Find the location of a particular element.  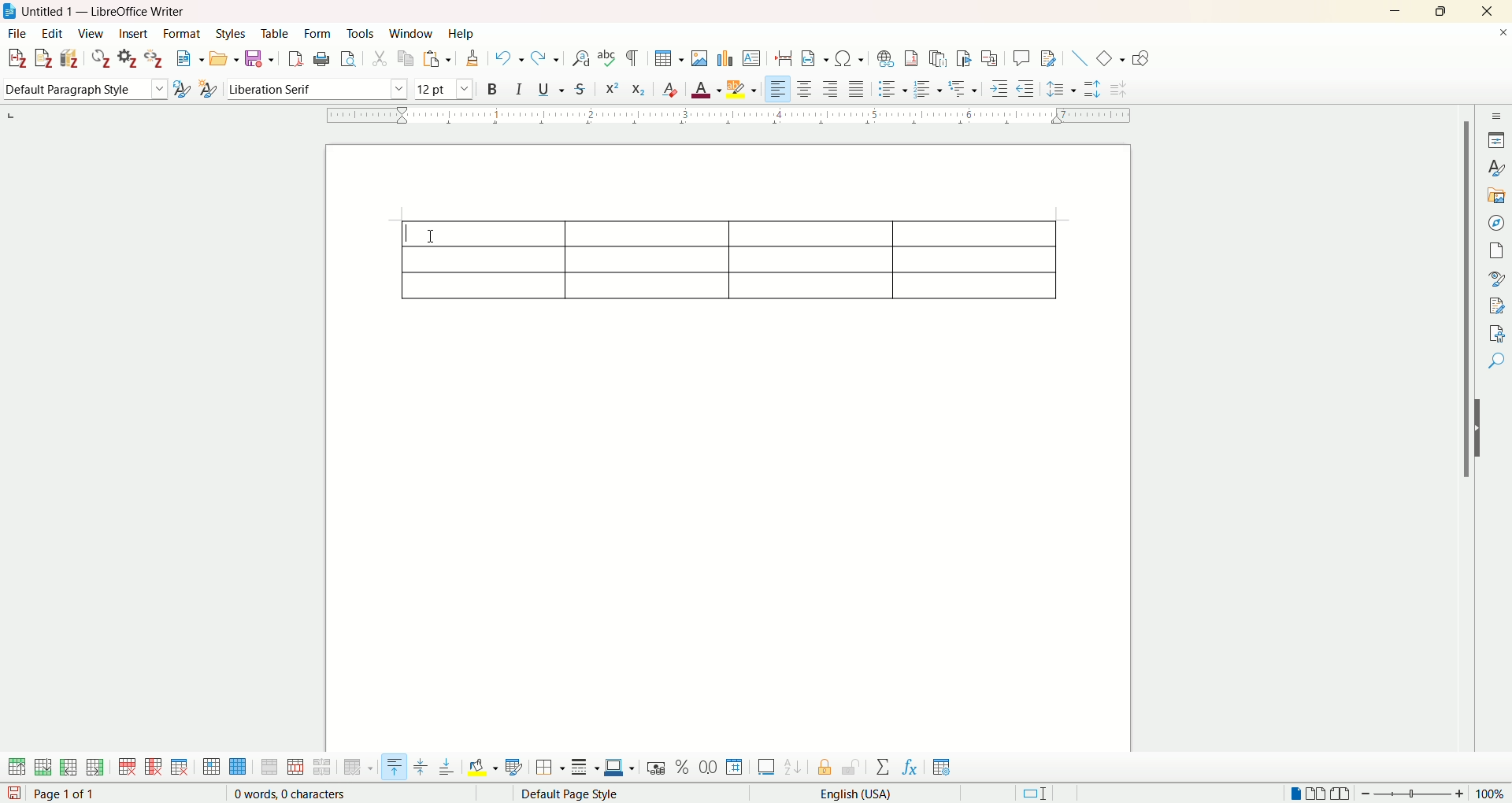

align right is located at coordinates (831, 90).